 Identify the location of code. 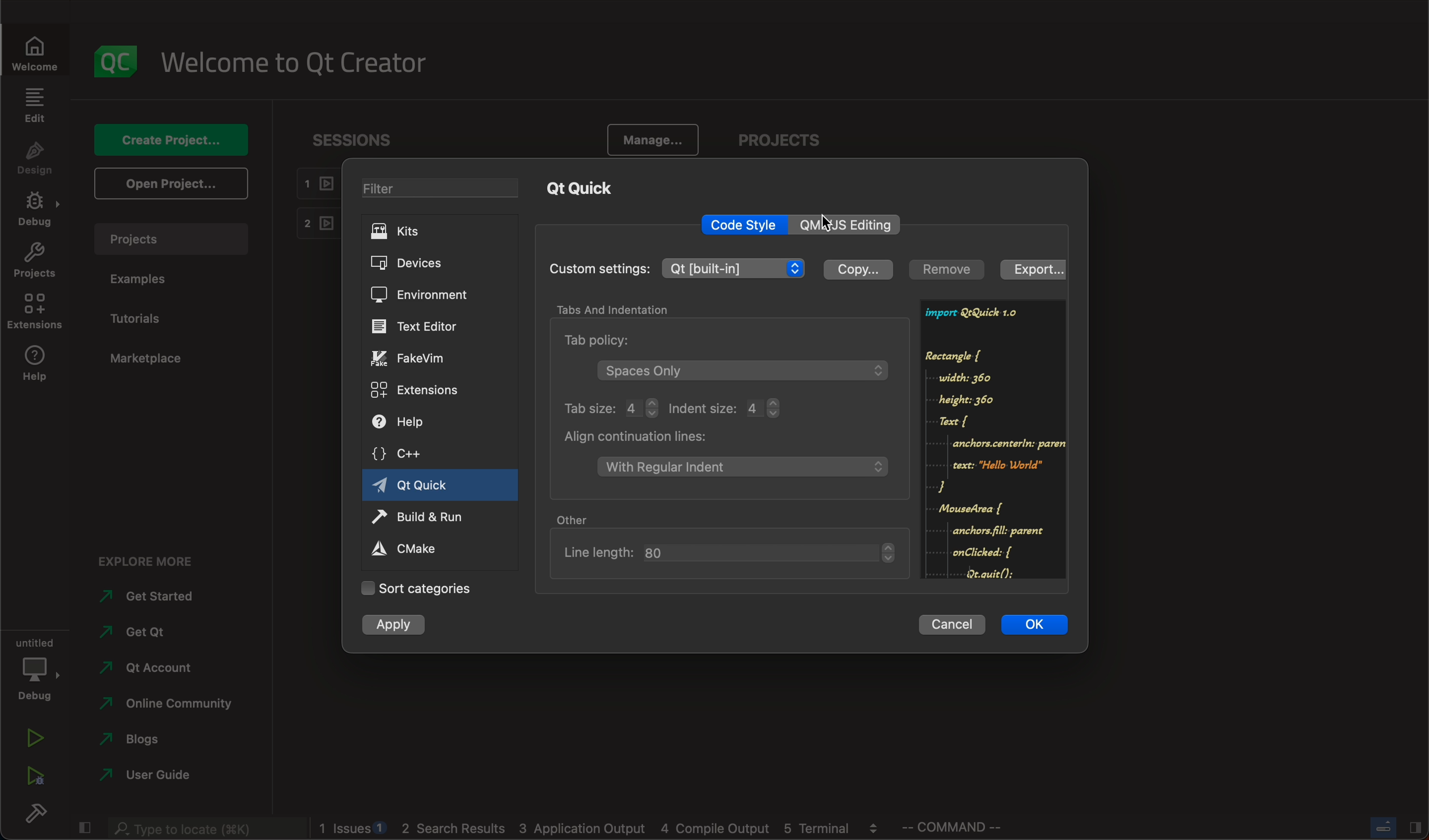
(743, 225).